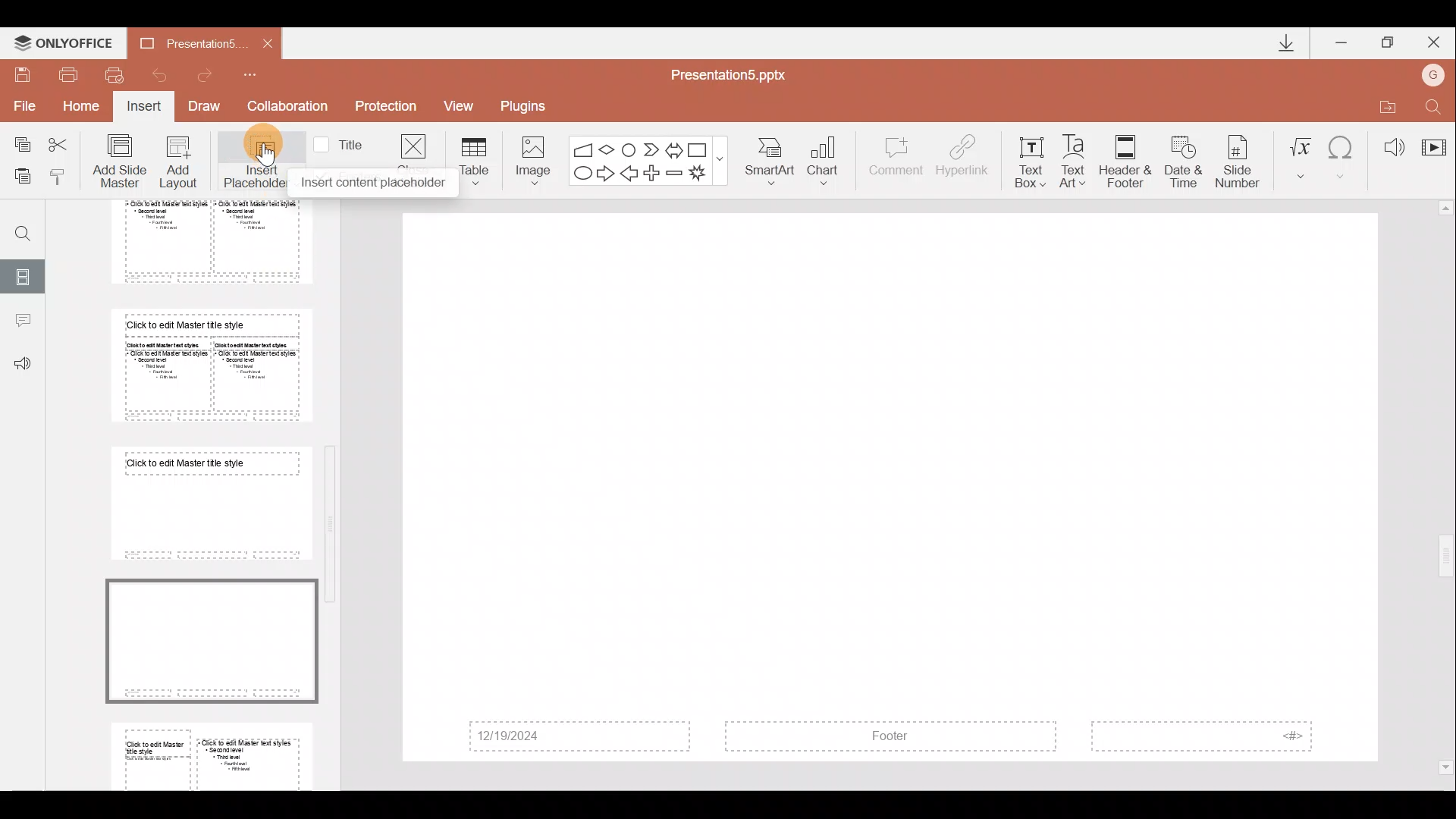  What do you see at coordinates (1388, 143) in the screenshot?
I see `Audio` at bounding box center [1388, 143].